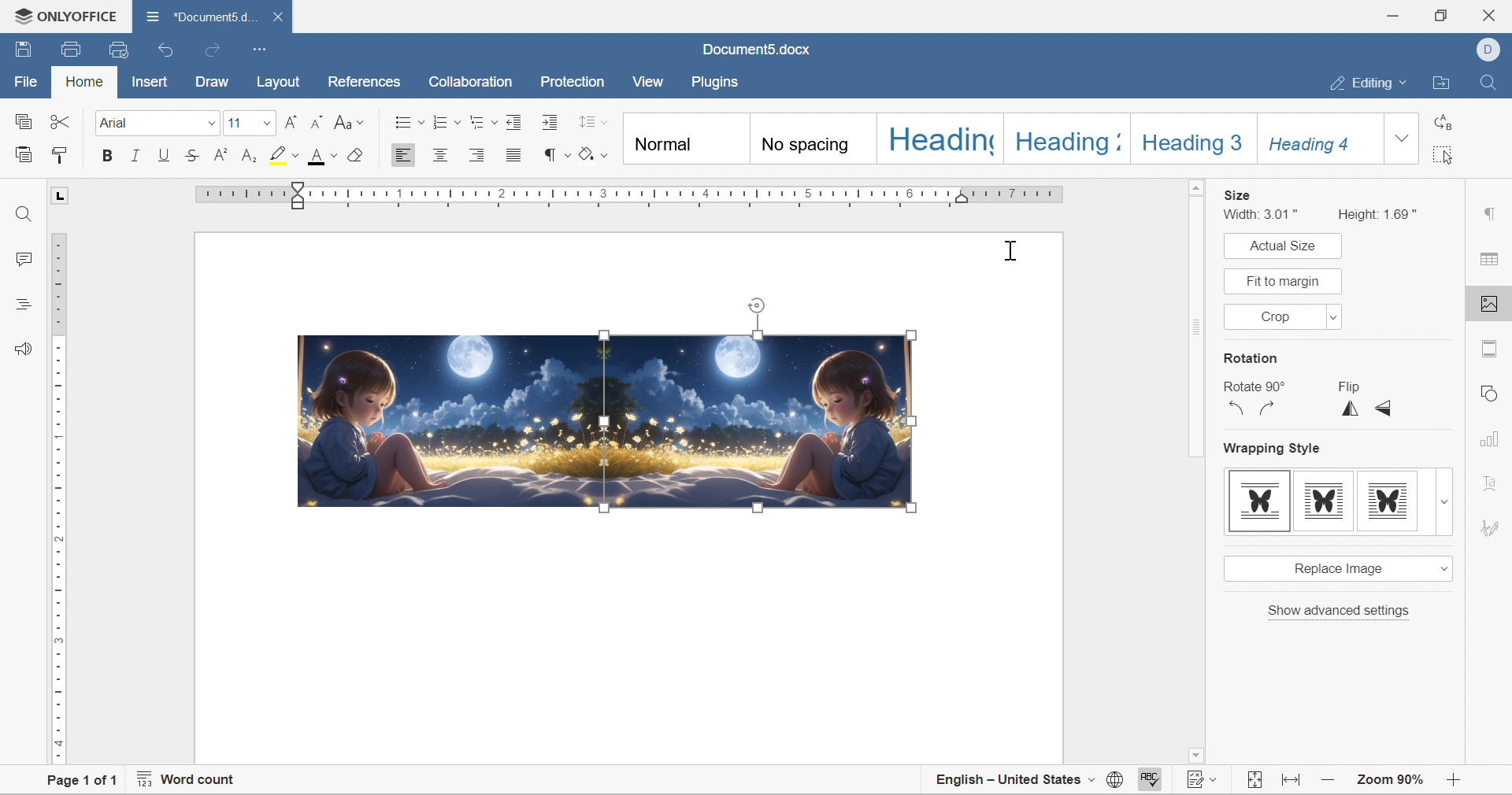 This screenshot has height=795, width=1512. What do you see at coordinates (1390, 17) in the screenshot?
I see `minimize` at bounding box center [1390, 17].